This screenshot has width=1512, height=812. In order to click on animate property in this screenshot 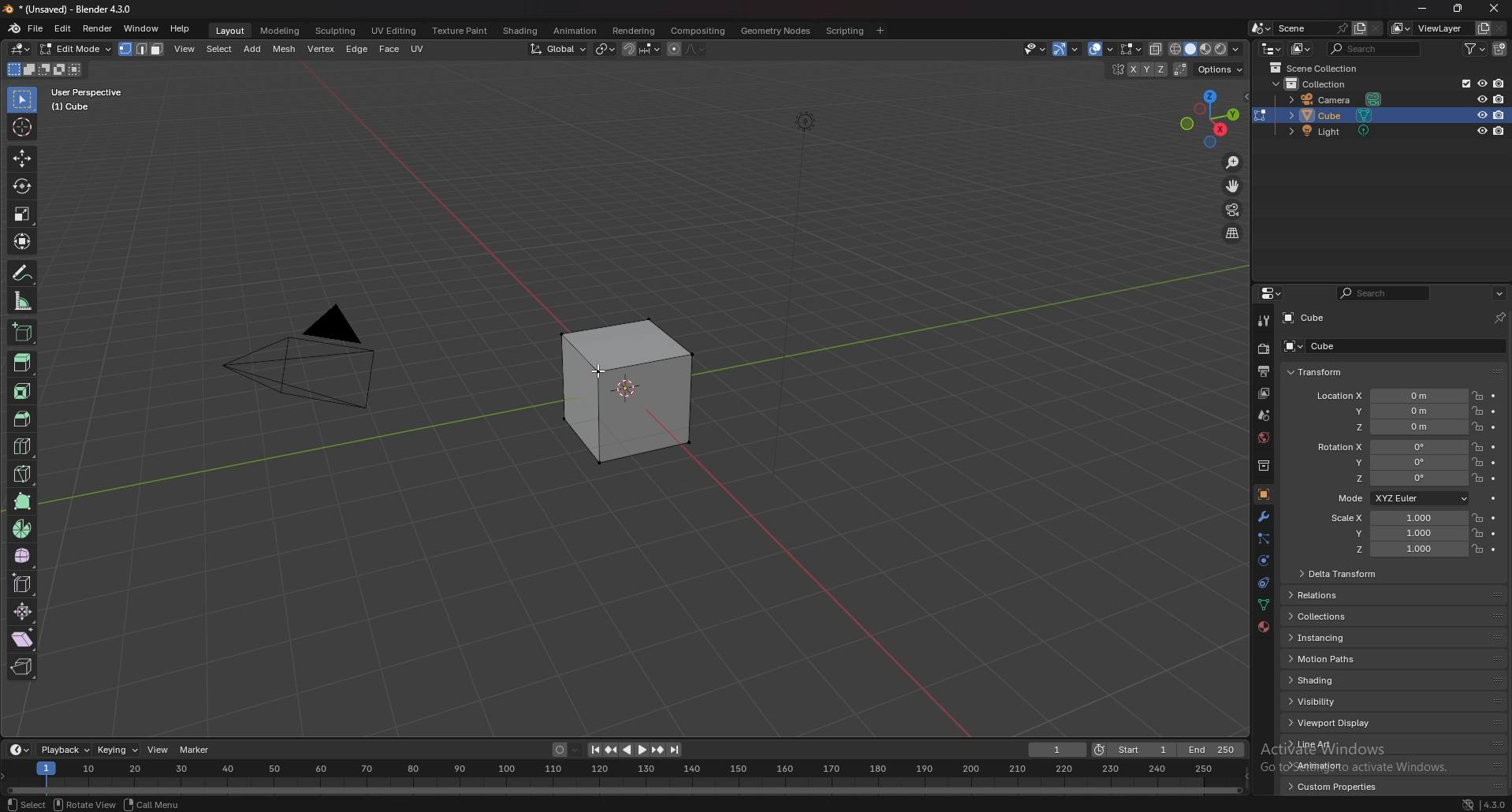, I will do `click(1494, 550)`.